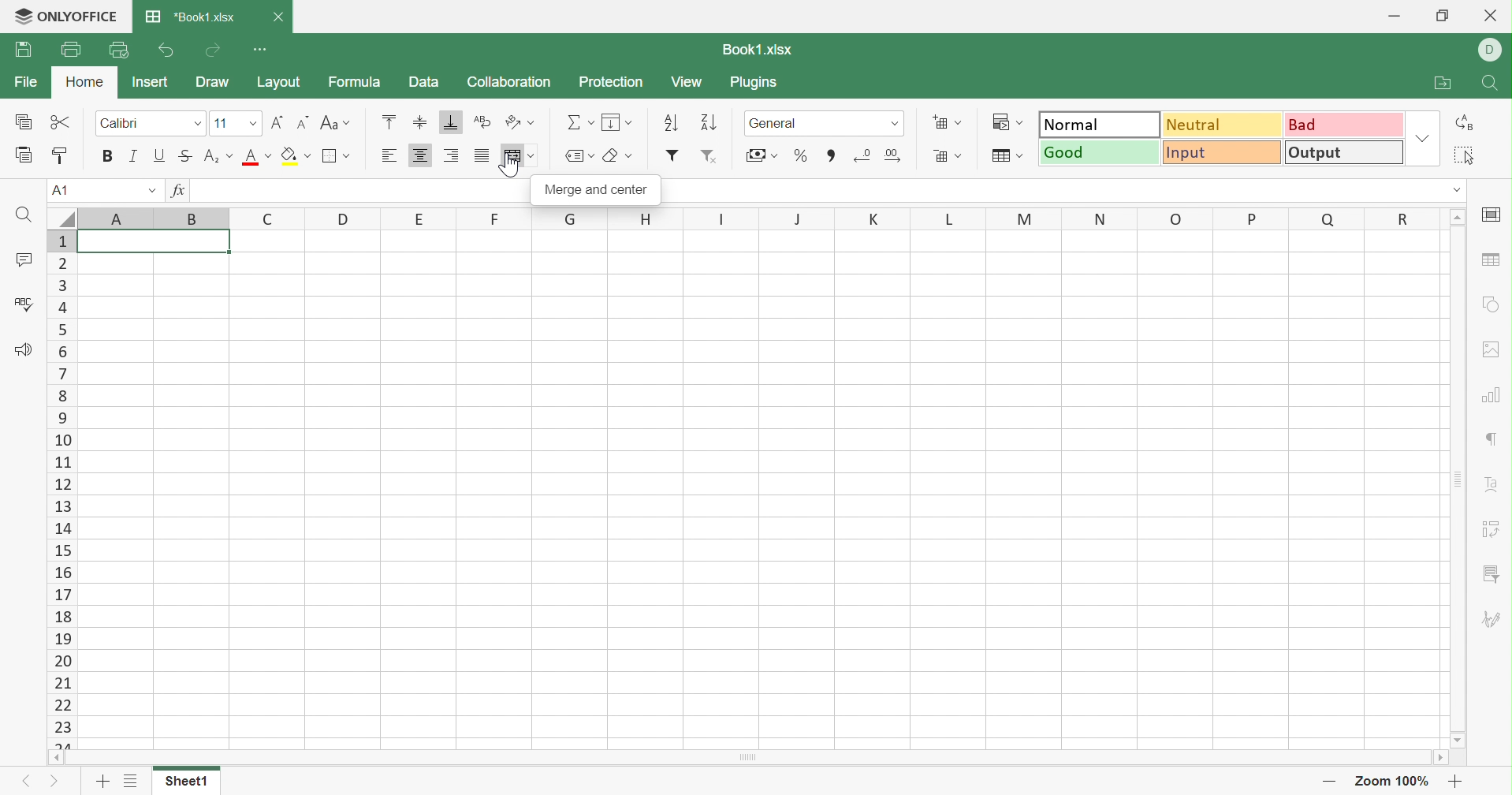  I want to click on Close, so click(1492, 15).